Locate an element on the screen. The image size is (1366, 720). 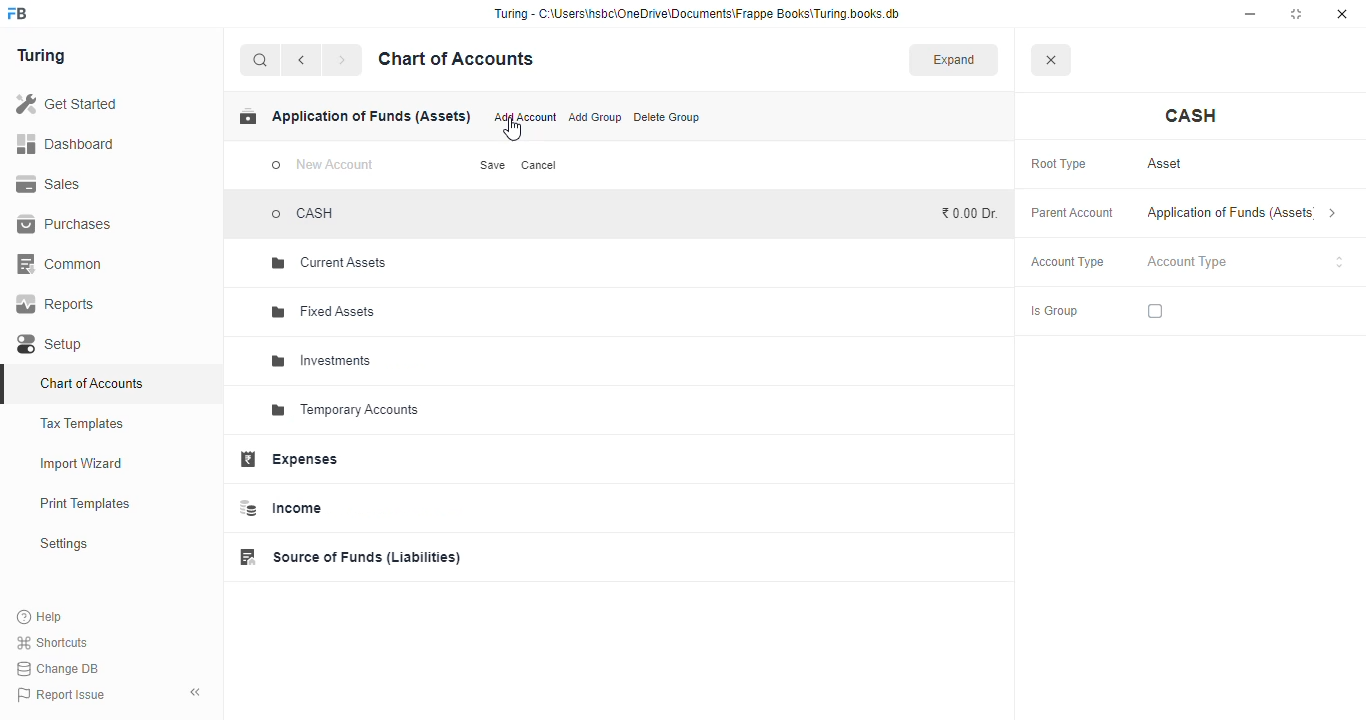
is group is located at coordinates (1054, 312).